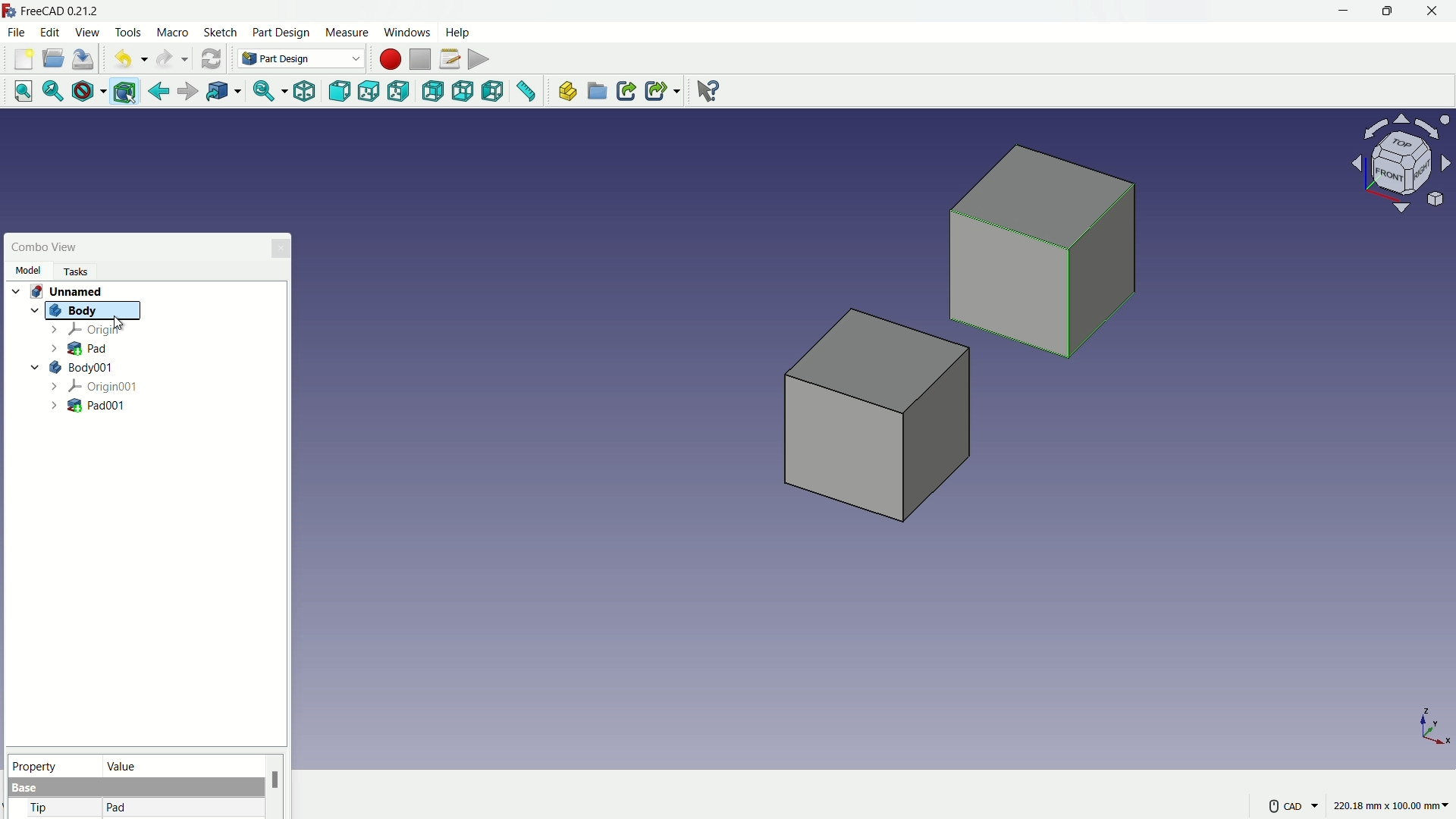 The width and height of the screenshot is (1456, 819). I want to click on unnamed, so click(76, 292).